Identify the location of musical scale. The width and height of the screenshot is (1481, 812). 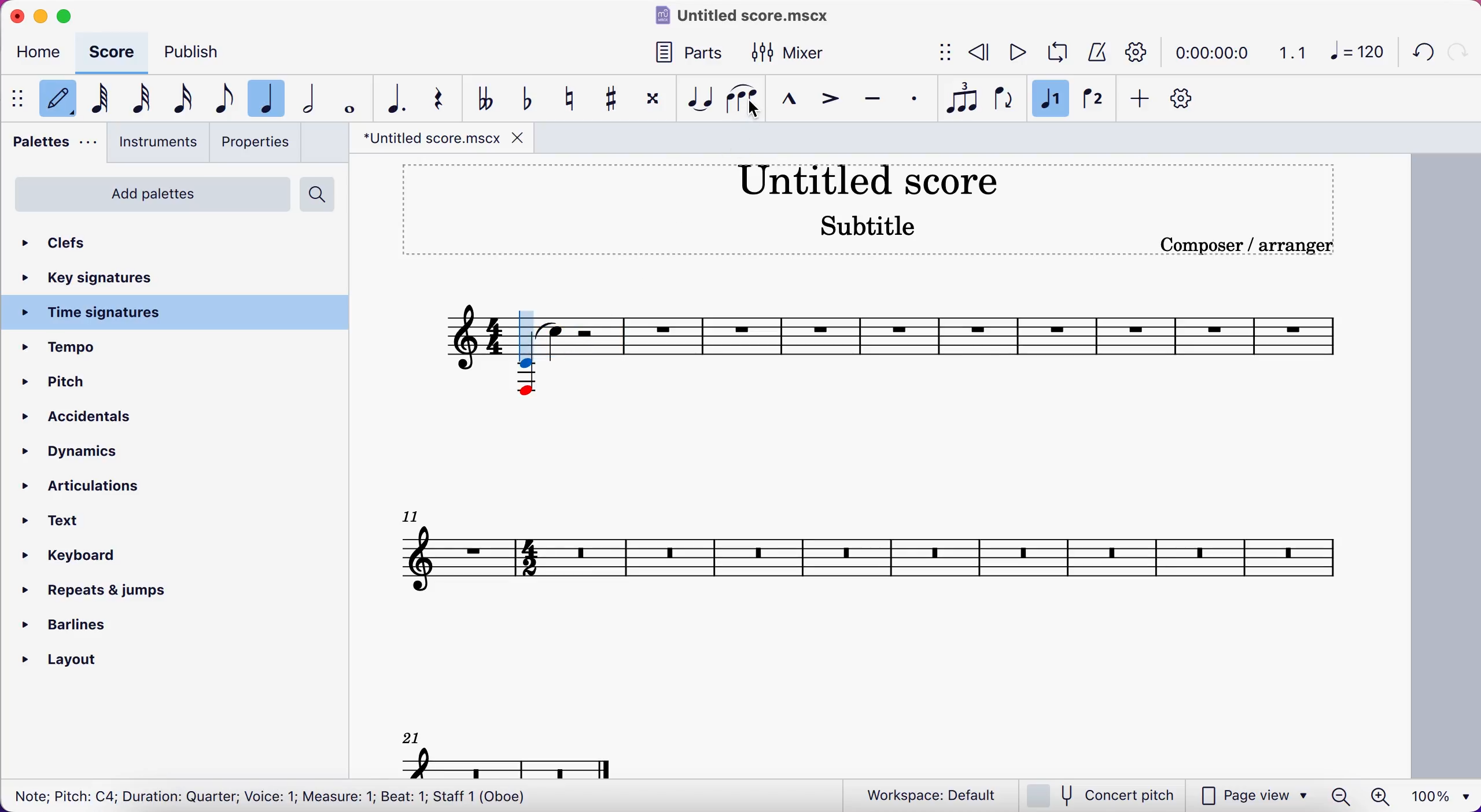
(882, 519).